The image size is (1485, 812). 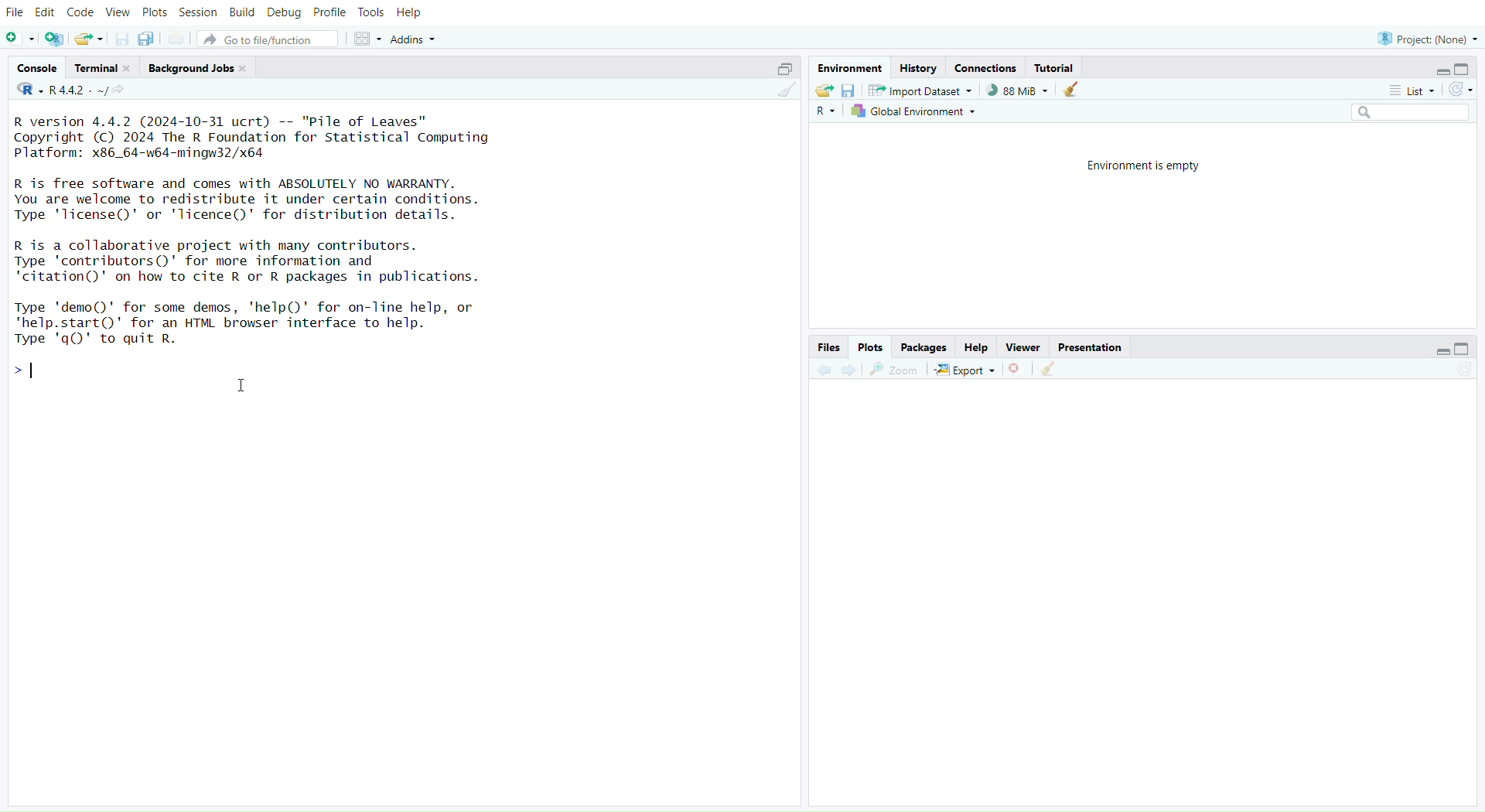 I want to click on save current document, so click(x=121, y=39).